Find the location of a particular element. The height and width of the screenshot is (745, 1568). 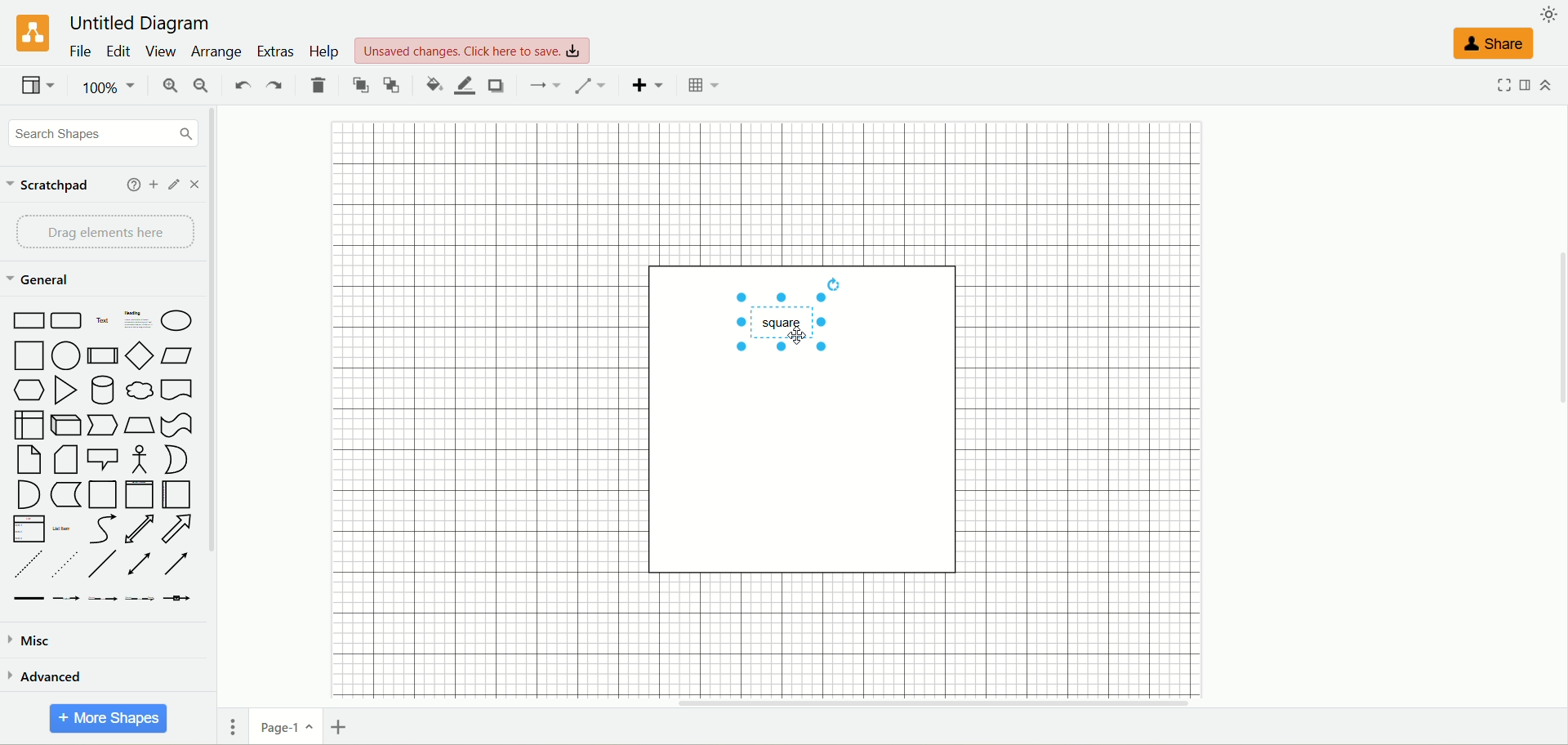

share is located at coordinates (1491, 42).